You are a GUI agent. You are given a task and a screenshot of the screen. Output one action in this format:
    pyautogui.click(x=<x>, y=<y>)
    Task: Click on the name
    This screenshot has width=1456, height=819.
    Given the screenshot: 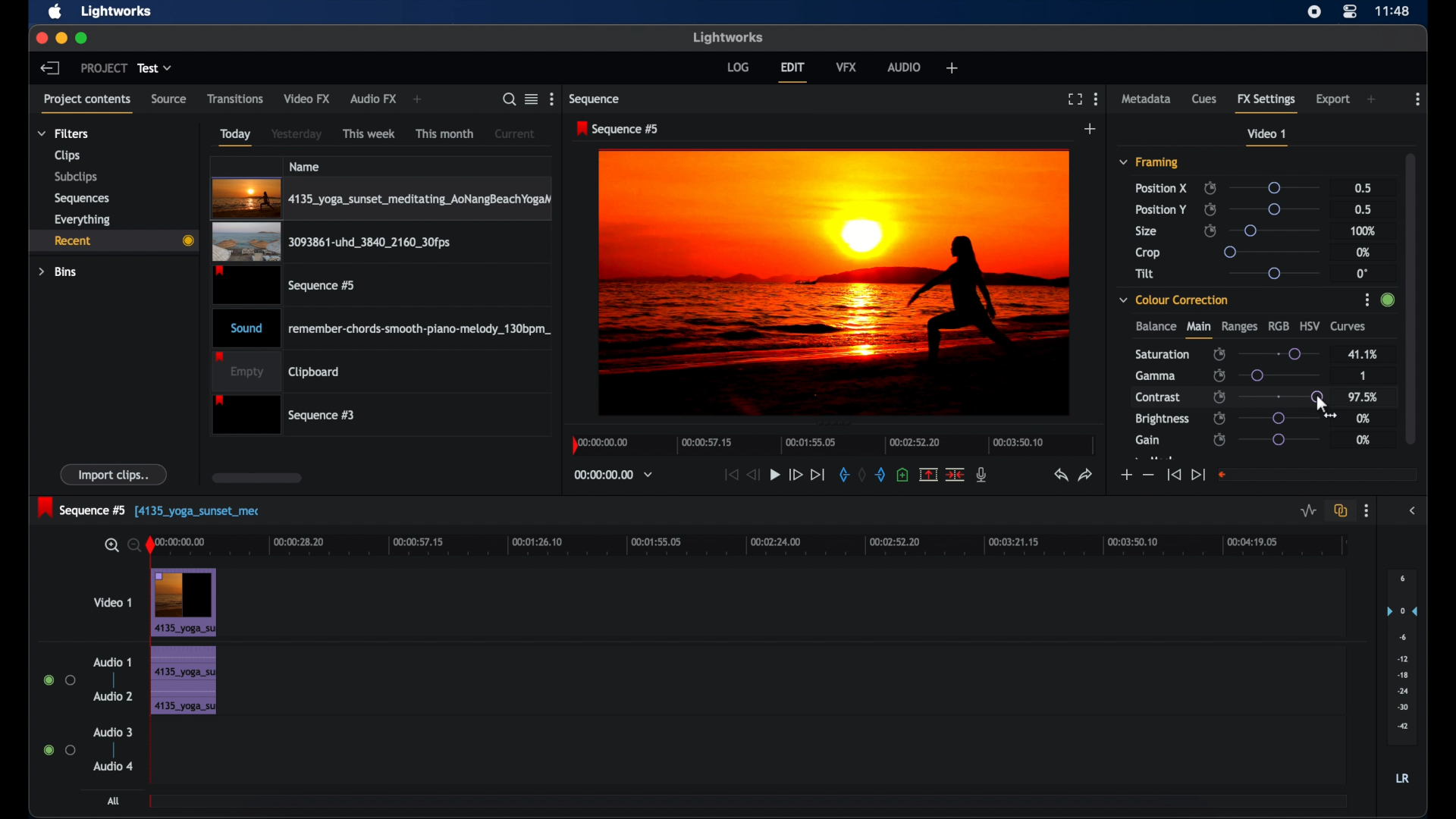 What is the action you would take?
    pyautogui.click(x=306, y=166)
    